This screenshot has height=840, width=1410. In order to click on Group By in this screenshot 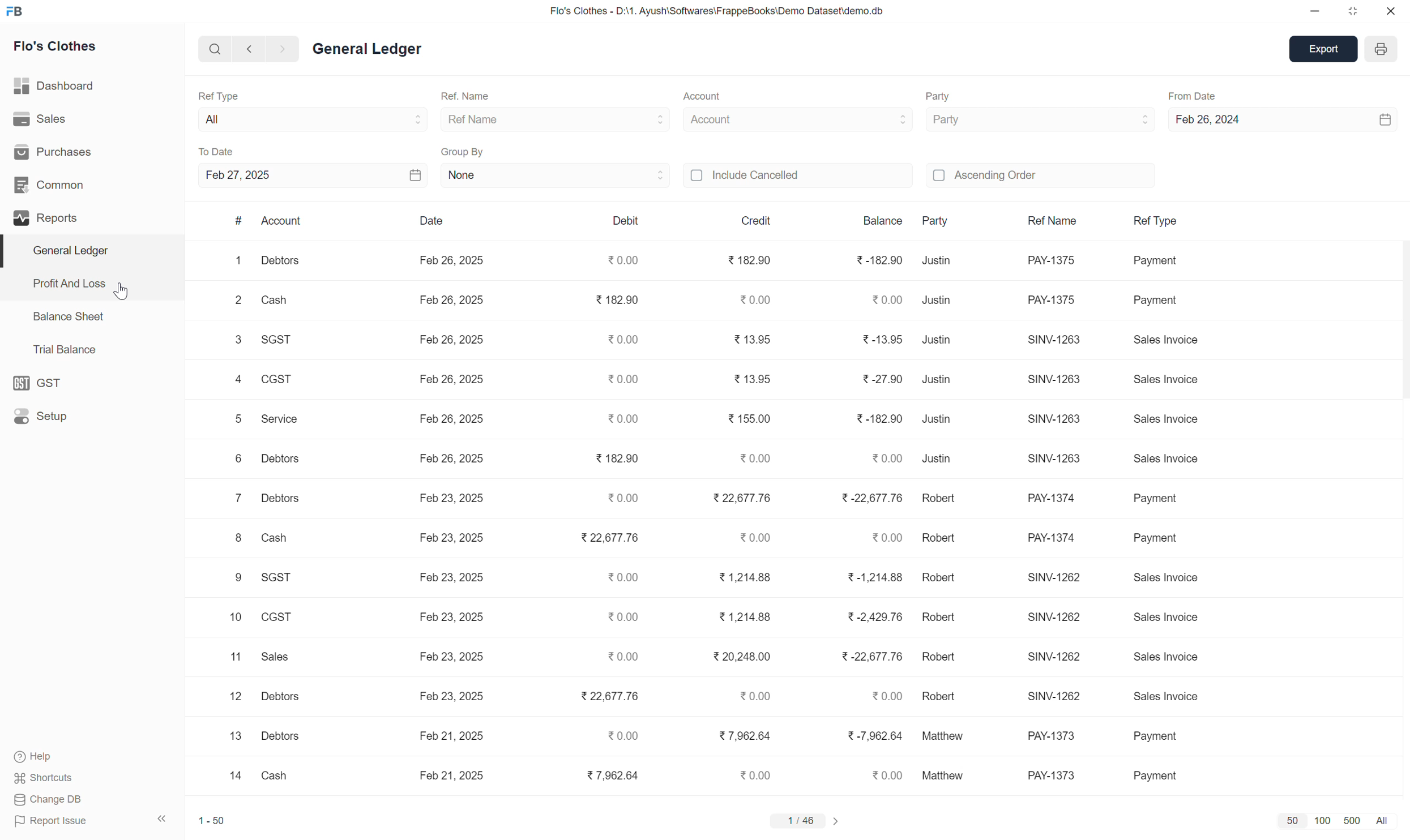, I will do `click(467, 154)`.